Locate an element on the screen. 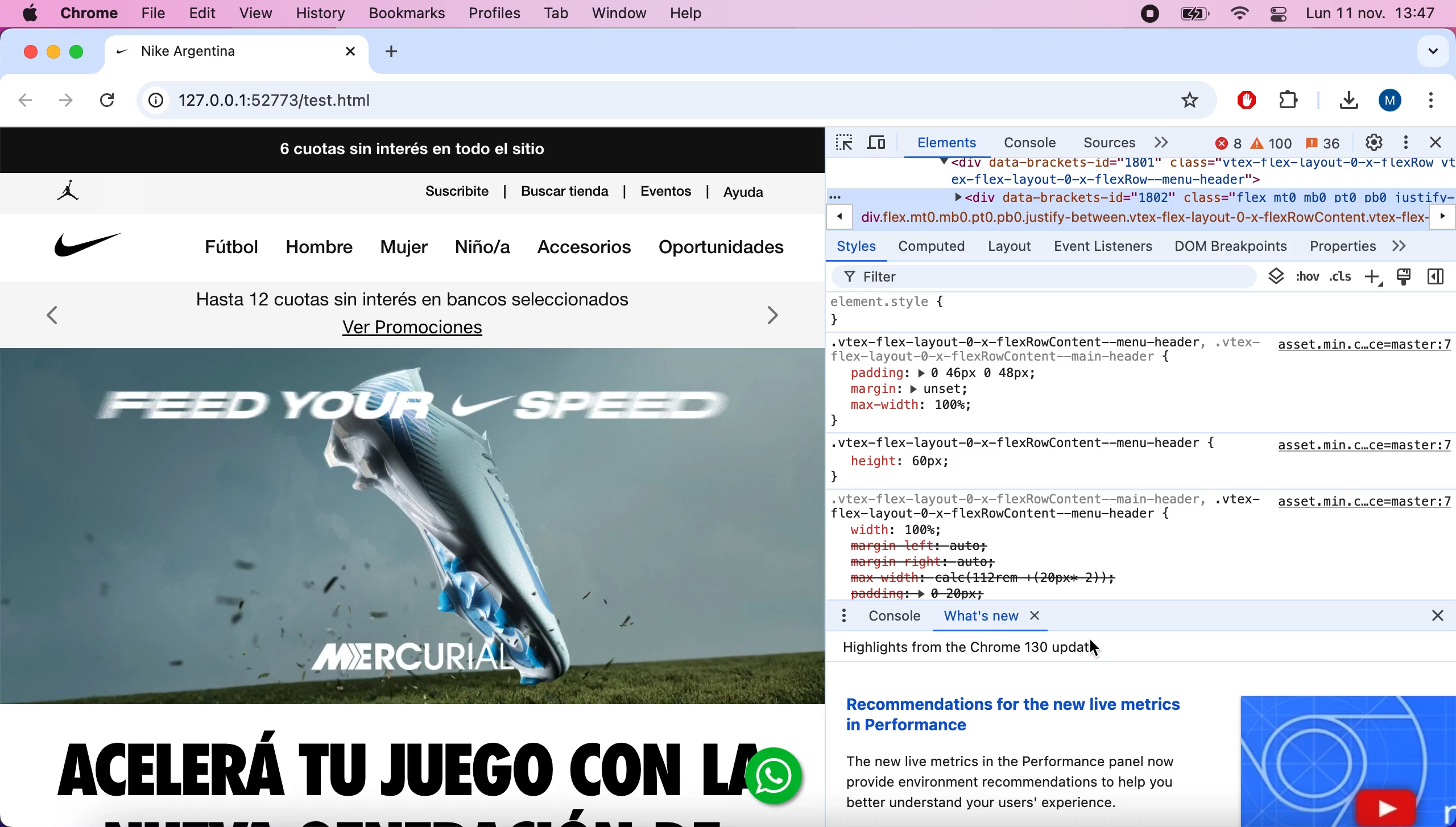 The width and height of the screenshot is (1456, 827). panel control is located at coordinates (1277, 14).